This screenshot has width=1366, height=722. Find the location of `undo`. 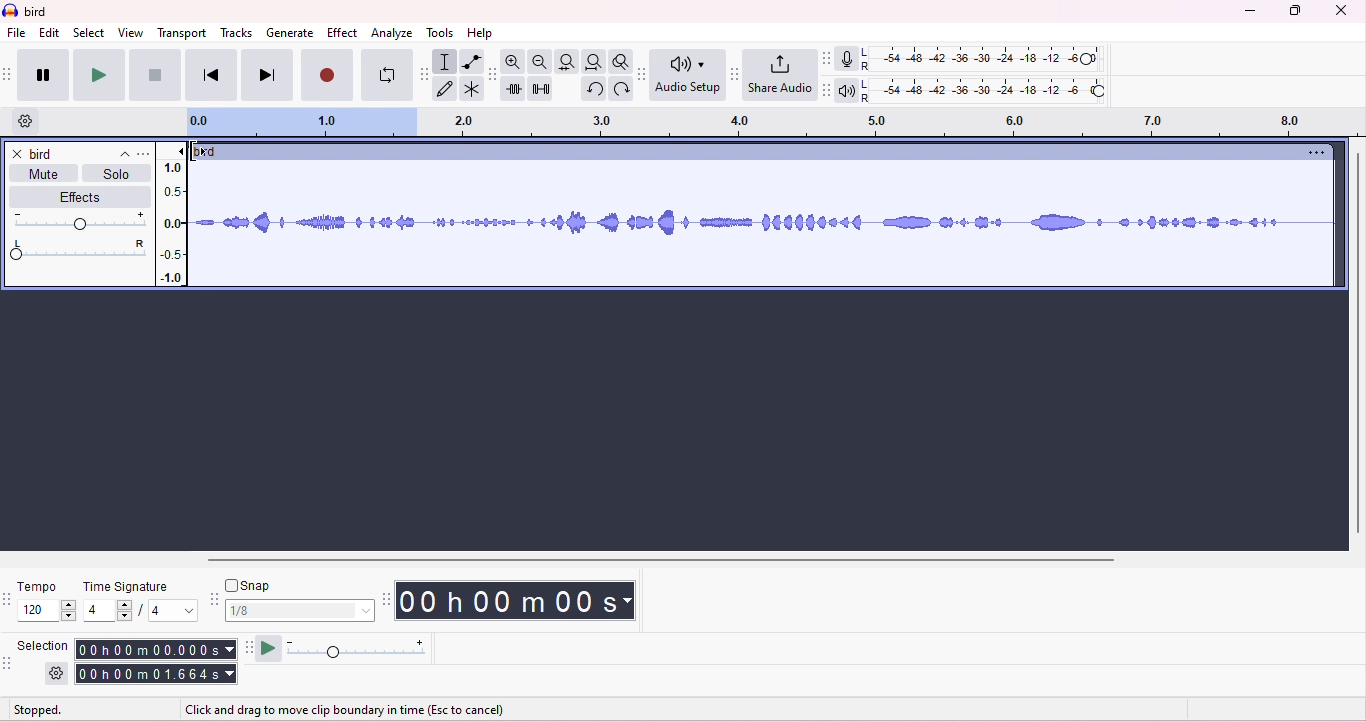

undo is located at coordinates (592, 91).